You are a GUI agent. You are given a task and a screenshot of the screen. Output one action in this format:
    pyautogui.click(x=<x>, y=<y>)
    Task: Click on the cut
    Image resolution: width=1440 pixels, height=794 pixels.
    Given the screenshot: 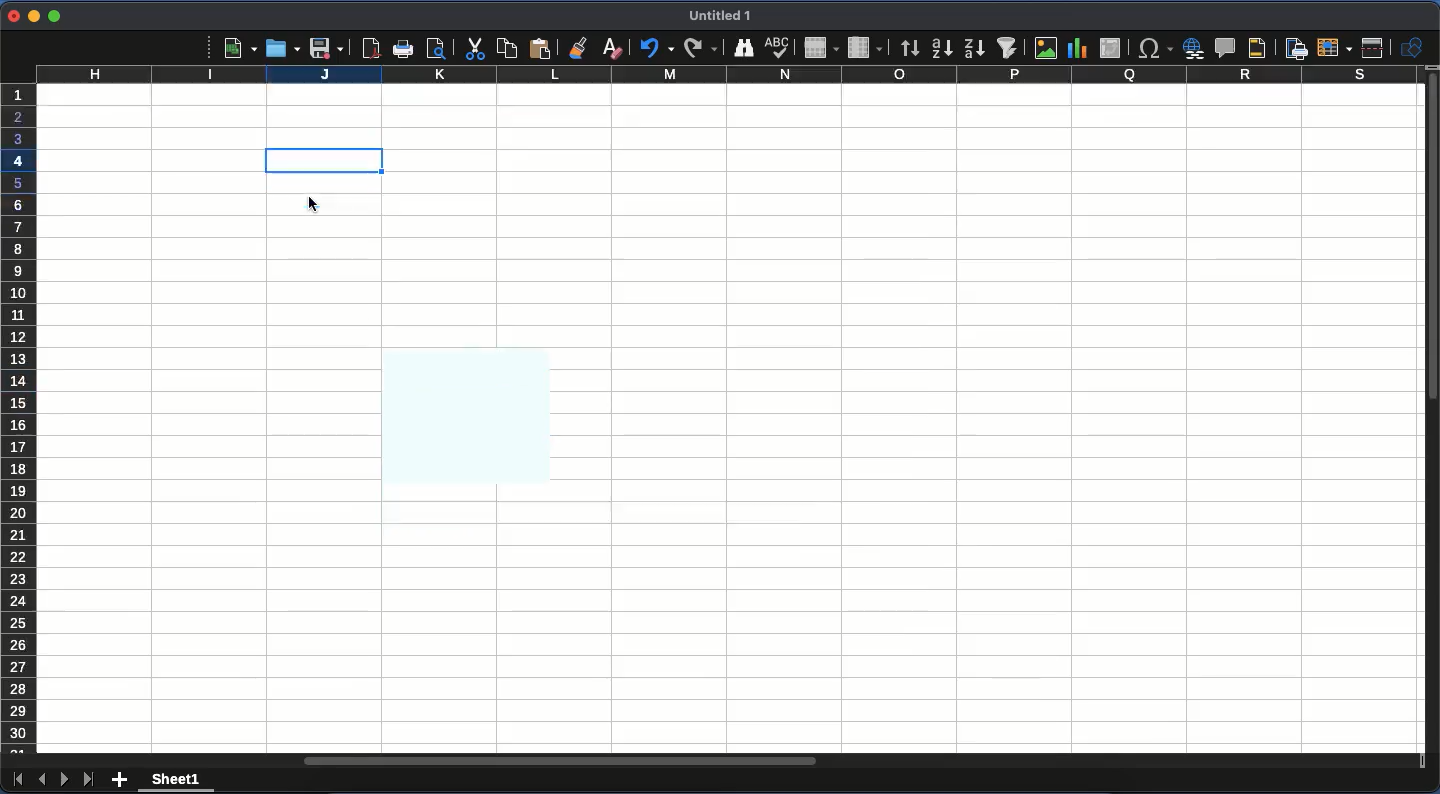 What is the action you would take?
    pyautogui.click(x=472, y=50)
    